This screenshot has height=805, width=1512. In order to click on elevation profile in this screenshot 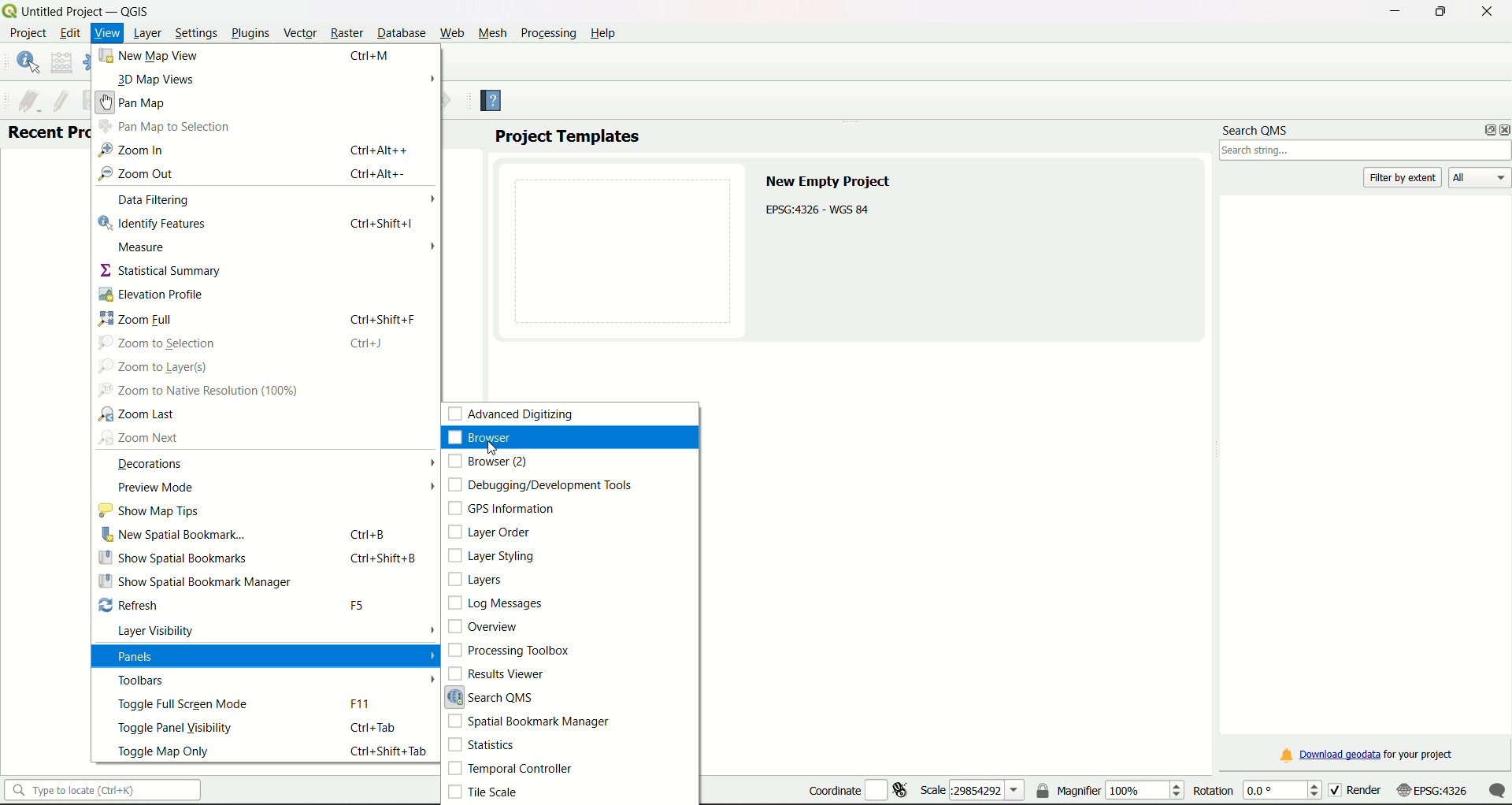, I will do `click(135, 293)`.